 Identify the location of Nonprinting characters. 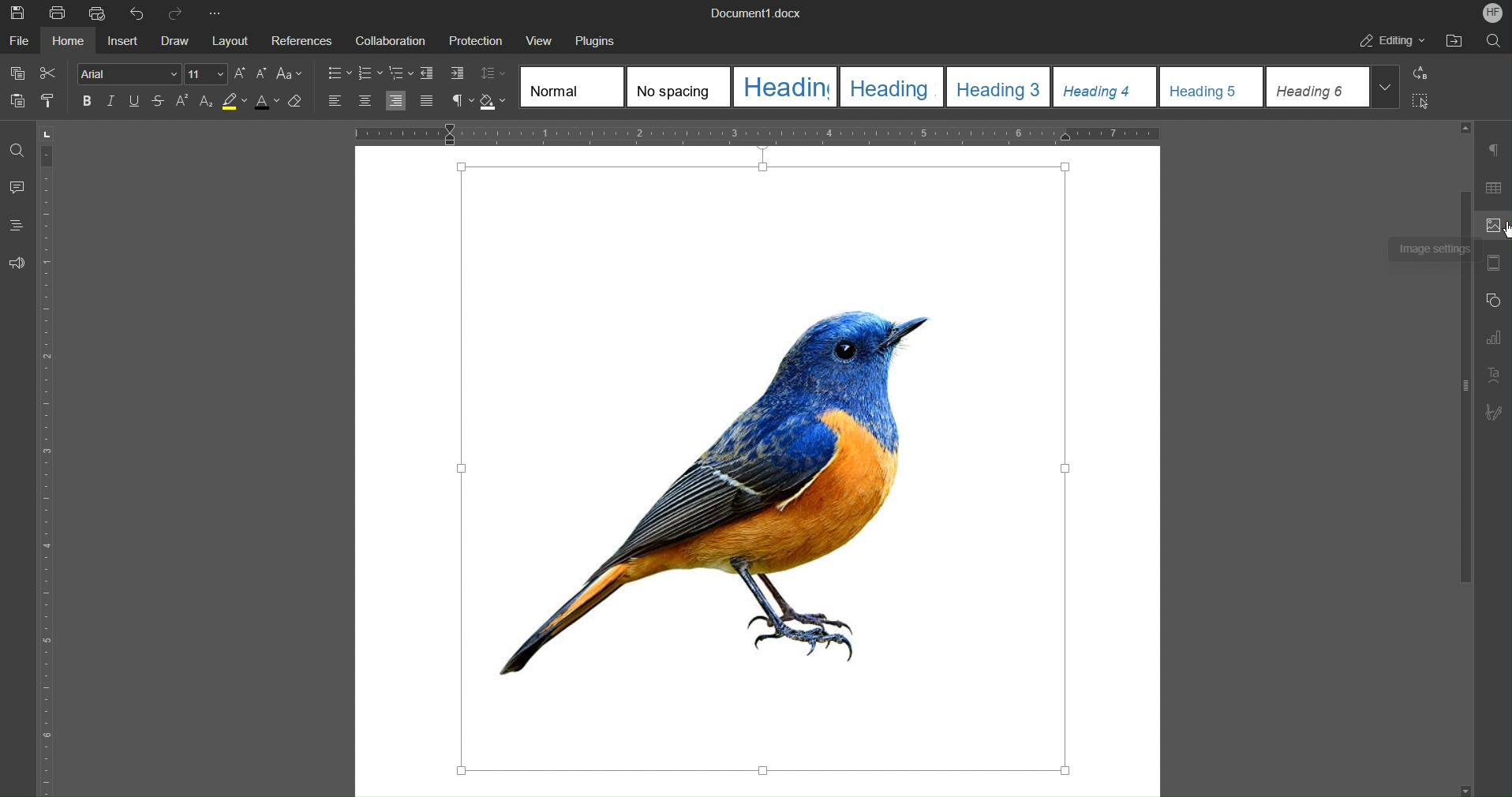
(462, 101).